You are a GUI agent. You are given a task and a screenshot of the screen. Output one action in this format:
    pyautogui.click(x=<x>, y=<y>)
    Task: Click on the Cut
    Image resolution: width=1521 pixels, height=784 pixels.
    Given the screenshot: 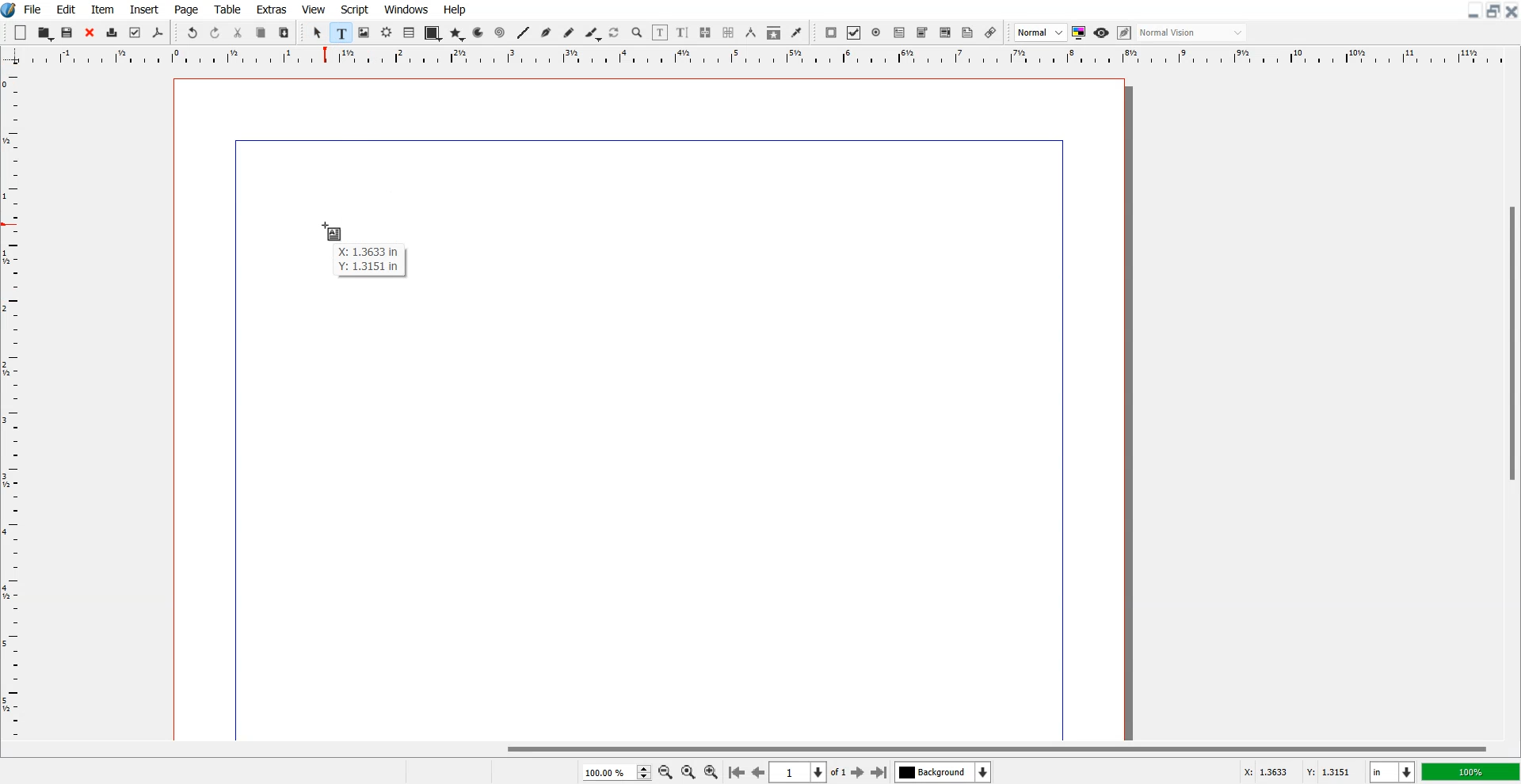 What is the action you would take?
    pyautogui.click(x=238, y=32)
    